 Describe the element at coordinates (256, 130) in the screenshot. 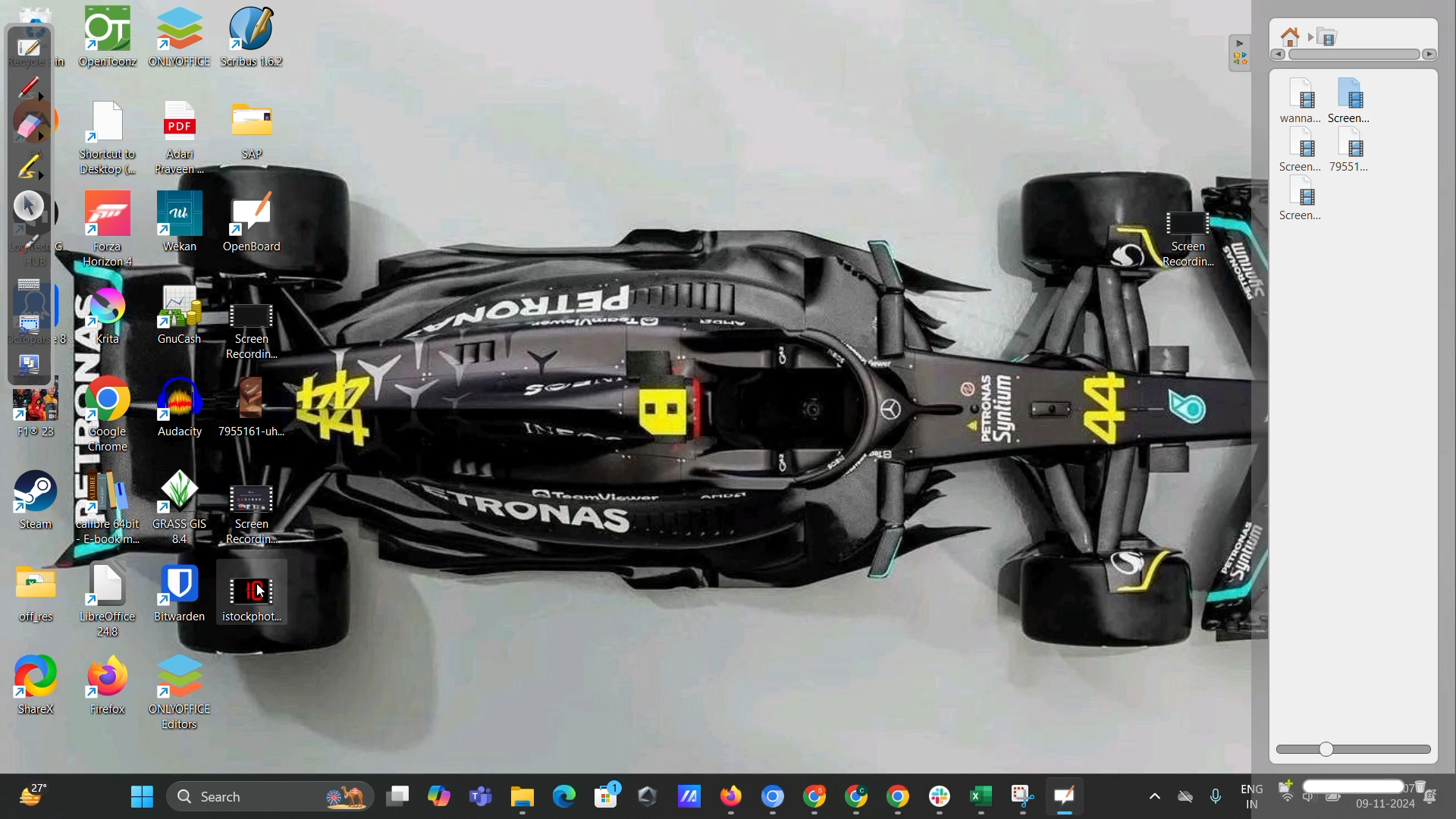

I see `SAP` at that location.